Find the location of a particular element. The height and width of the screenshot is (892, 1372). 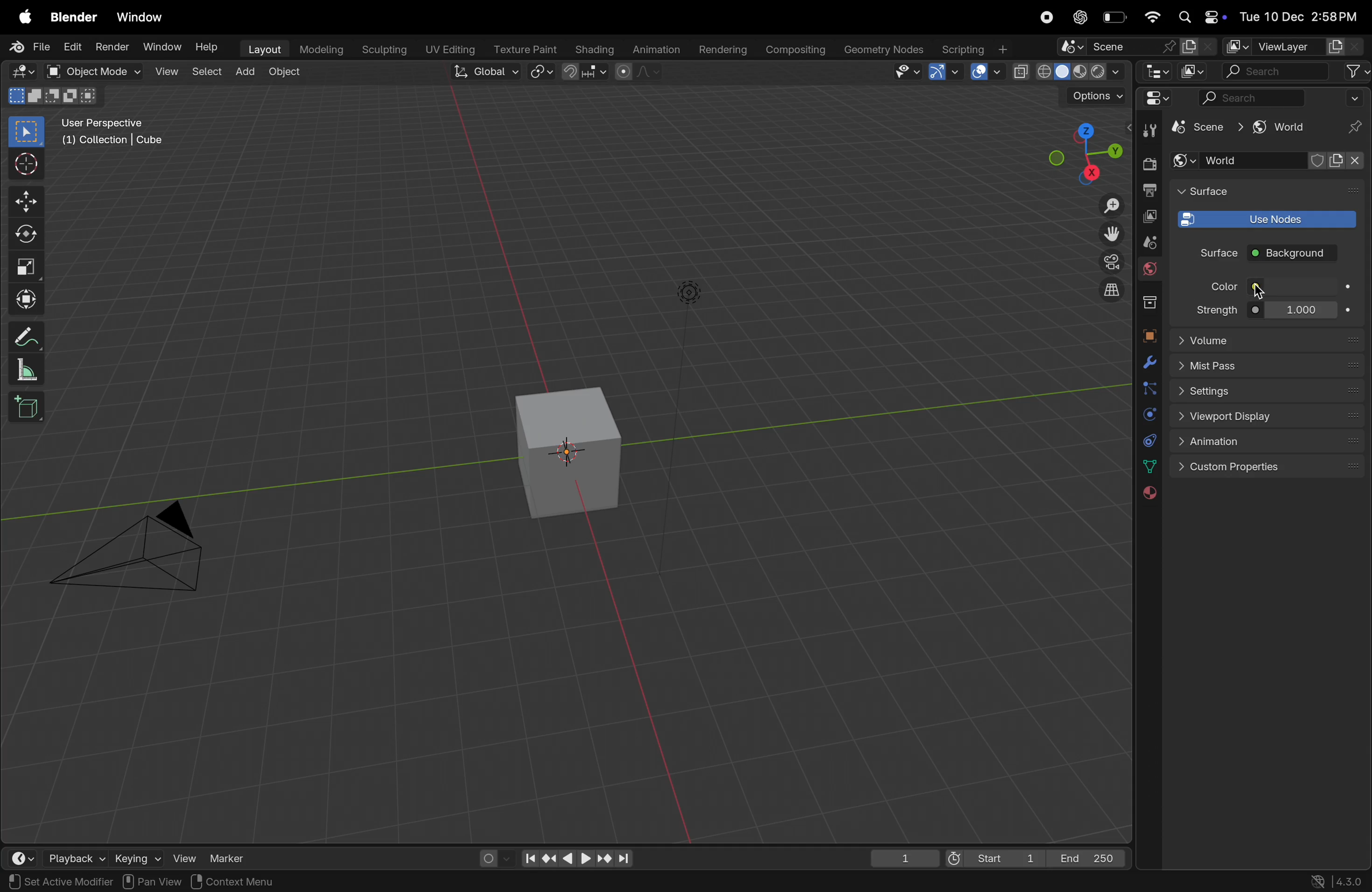

output is located at coordinates (1149, 190).